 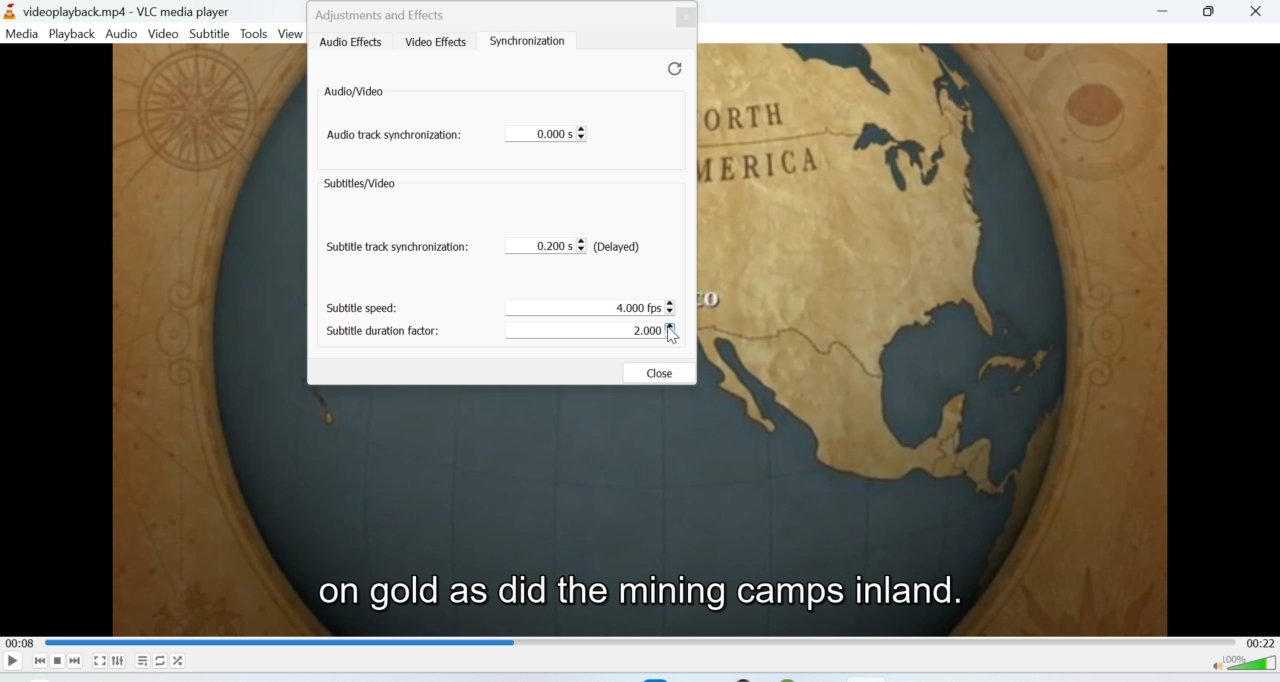 I want to click on Playlist, so click(x=141, y=661).